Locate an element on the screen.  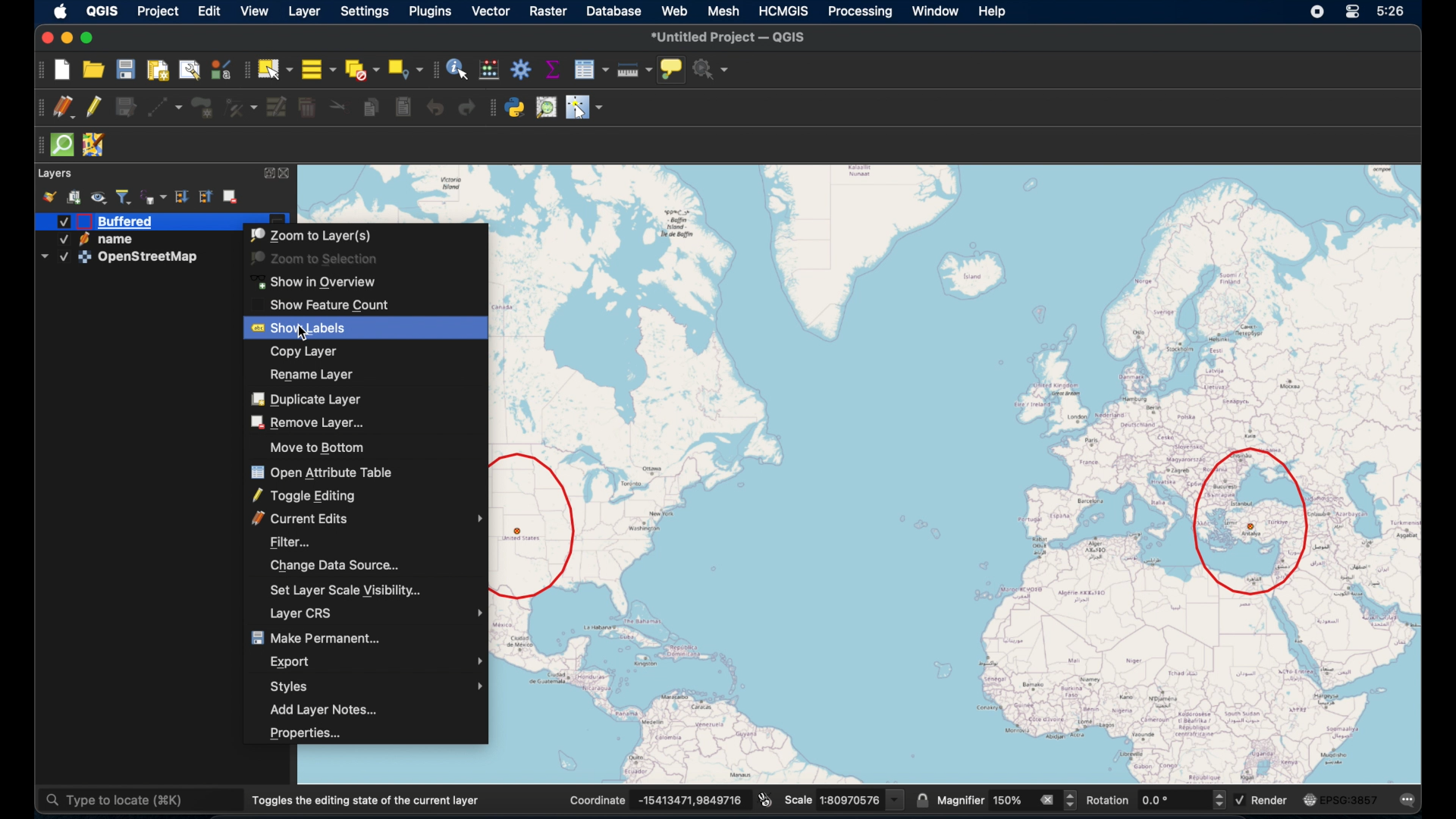
style manager is located at coordinates (49, 195).